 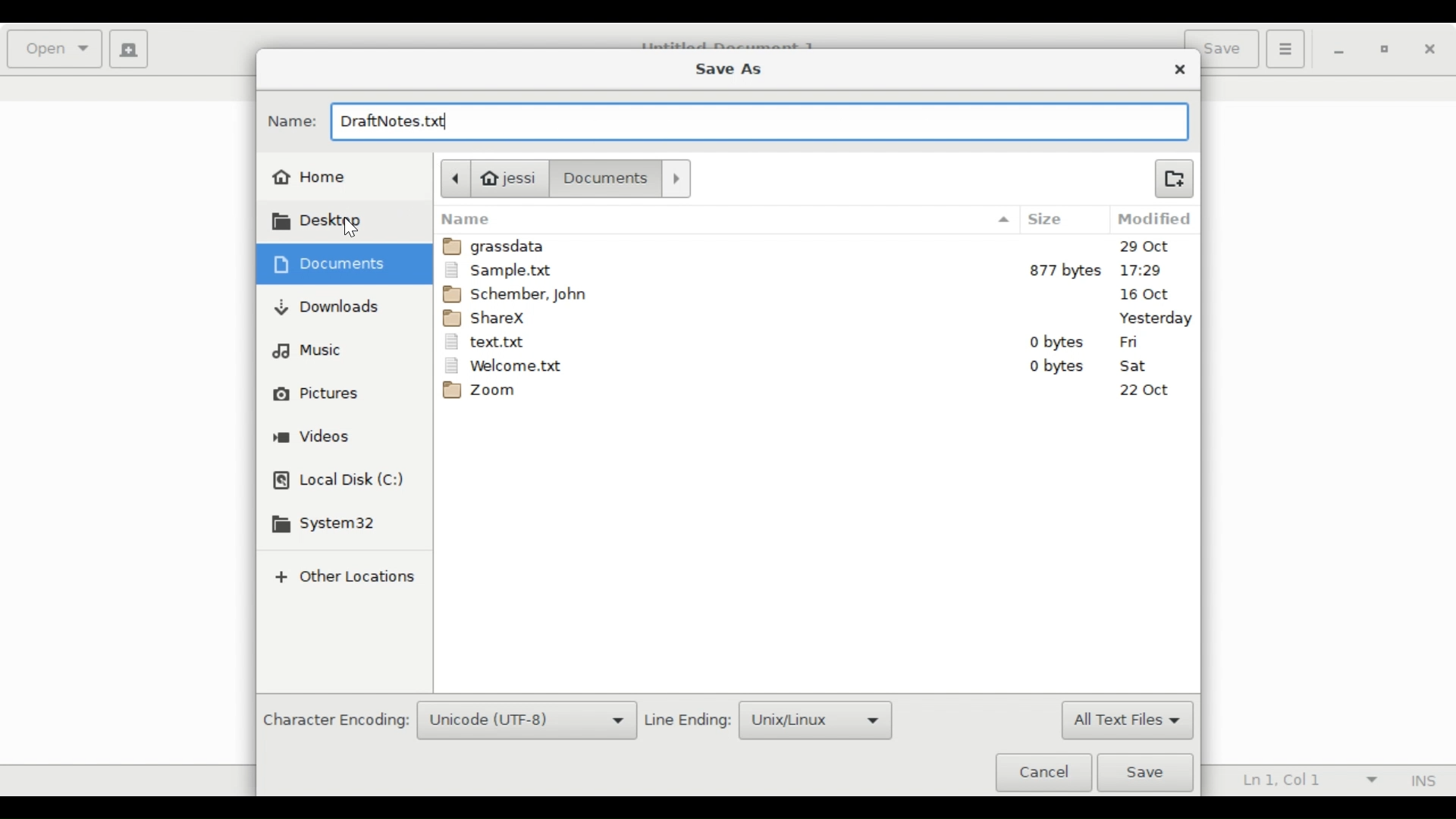 What do you see at coordinates (328, 306) in the screenshot?
I see `Downloads` at bounding box center [328, 306].